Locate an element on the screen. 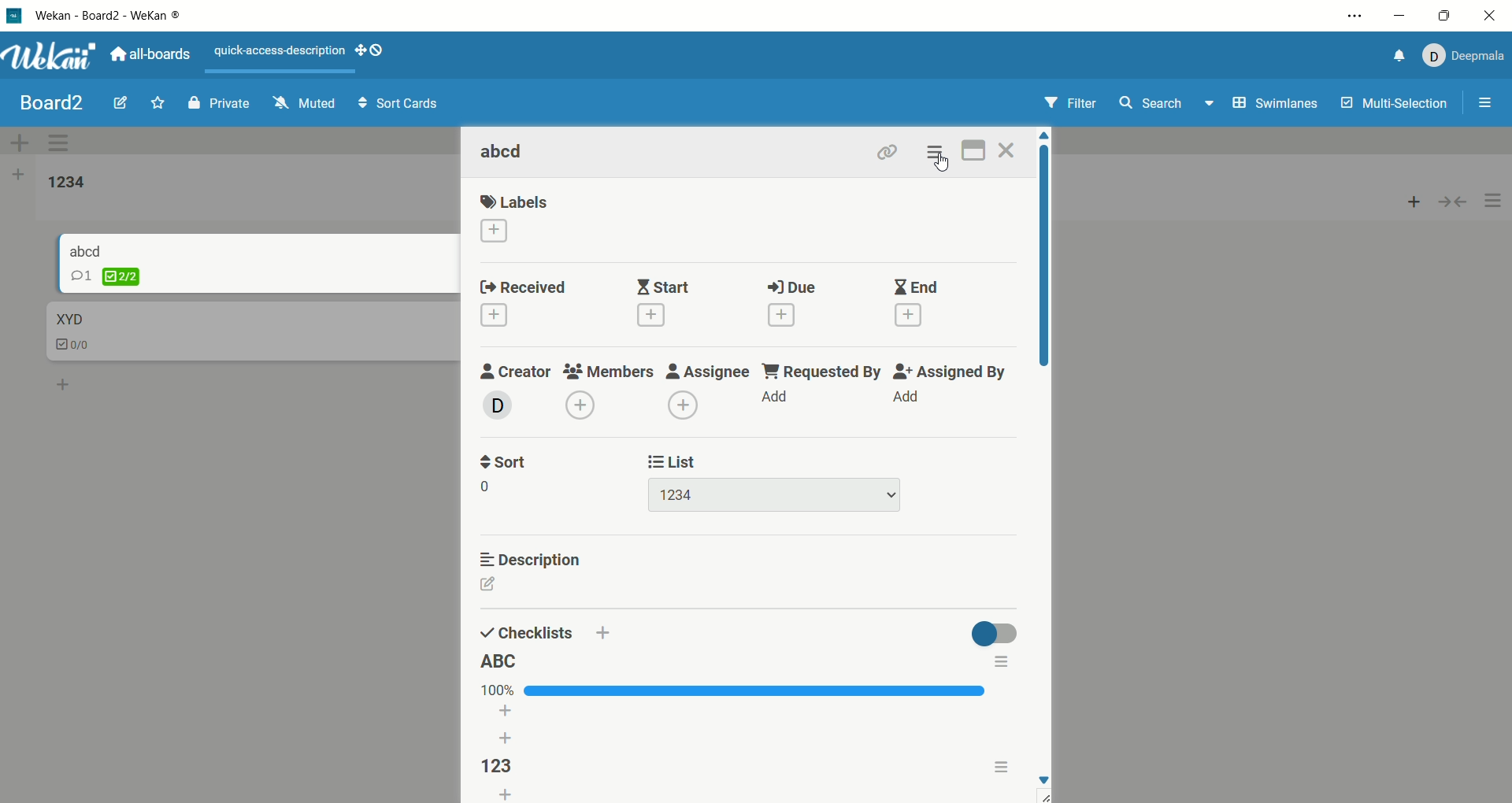  maximize is located at coordinates (975, 150).